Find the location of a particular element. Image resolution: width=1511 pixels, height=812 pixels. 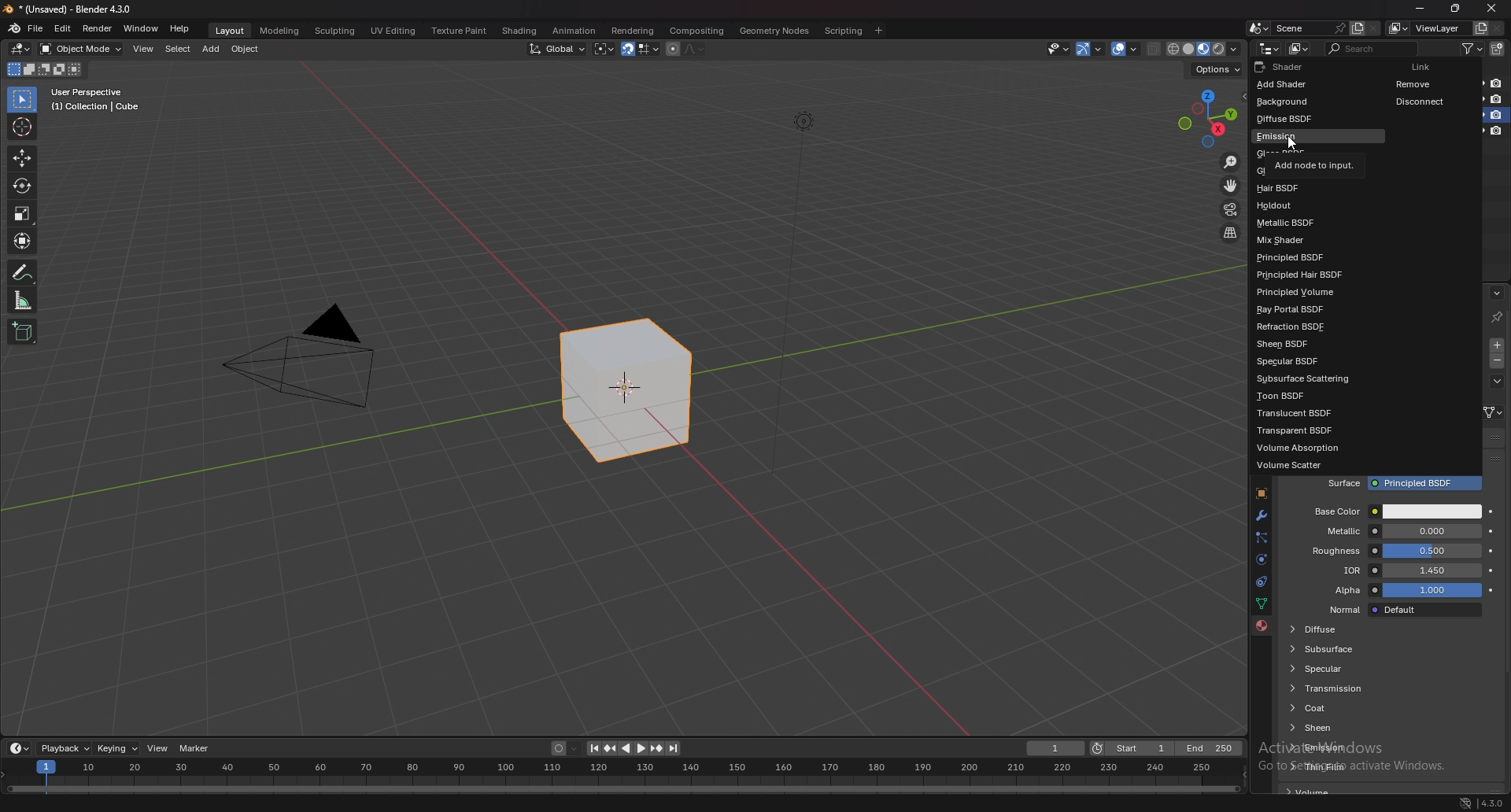

disable in renders is located at coordinates (1497, 131).